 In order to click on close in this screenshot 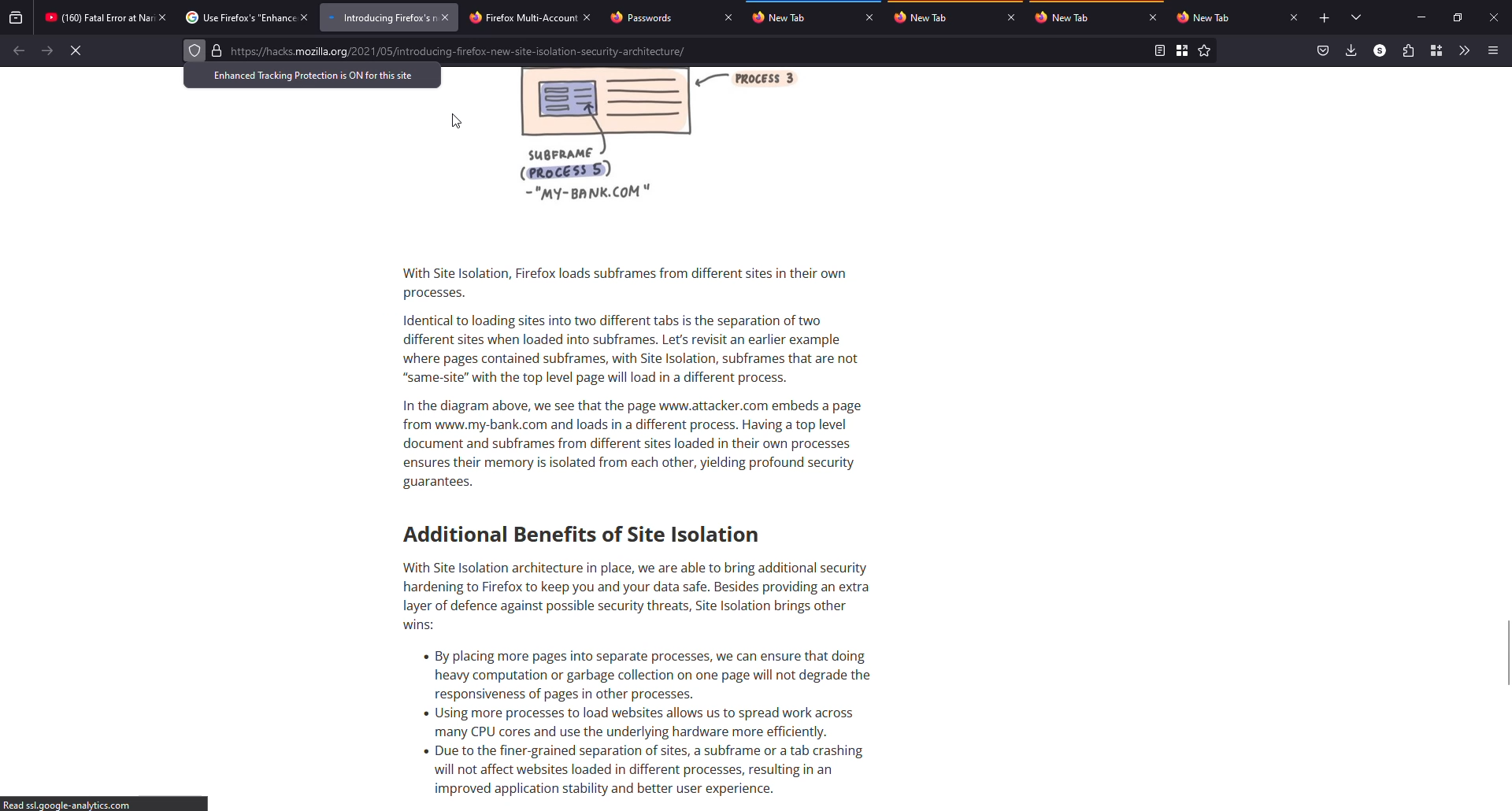, I will do `click(1154, 18)`.